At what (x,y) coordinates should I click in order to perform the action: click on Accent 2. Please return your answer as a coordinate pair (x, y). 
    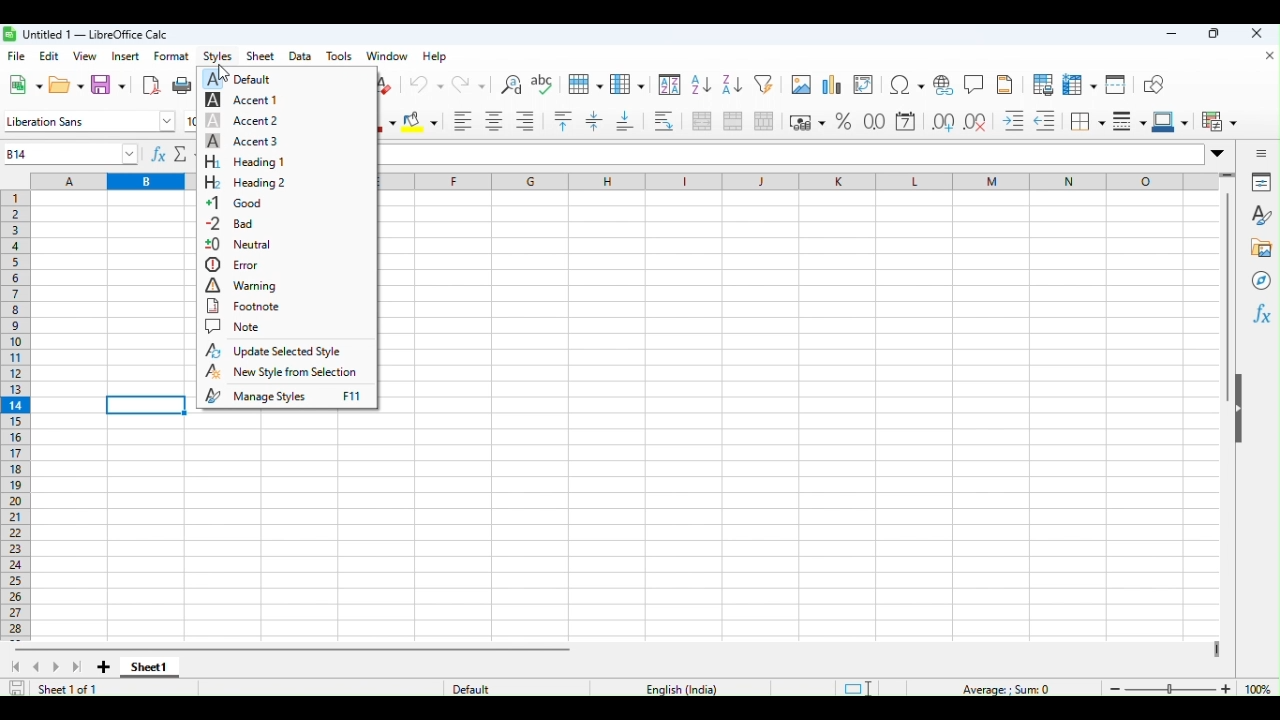
    Looking at the image, I should click on (246, 121).